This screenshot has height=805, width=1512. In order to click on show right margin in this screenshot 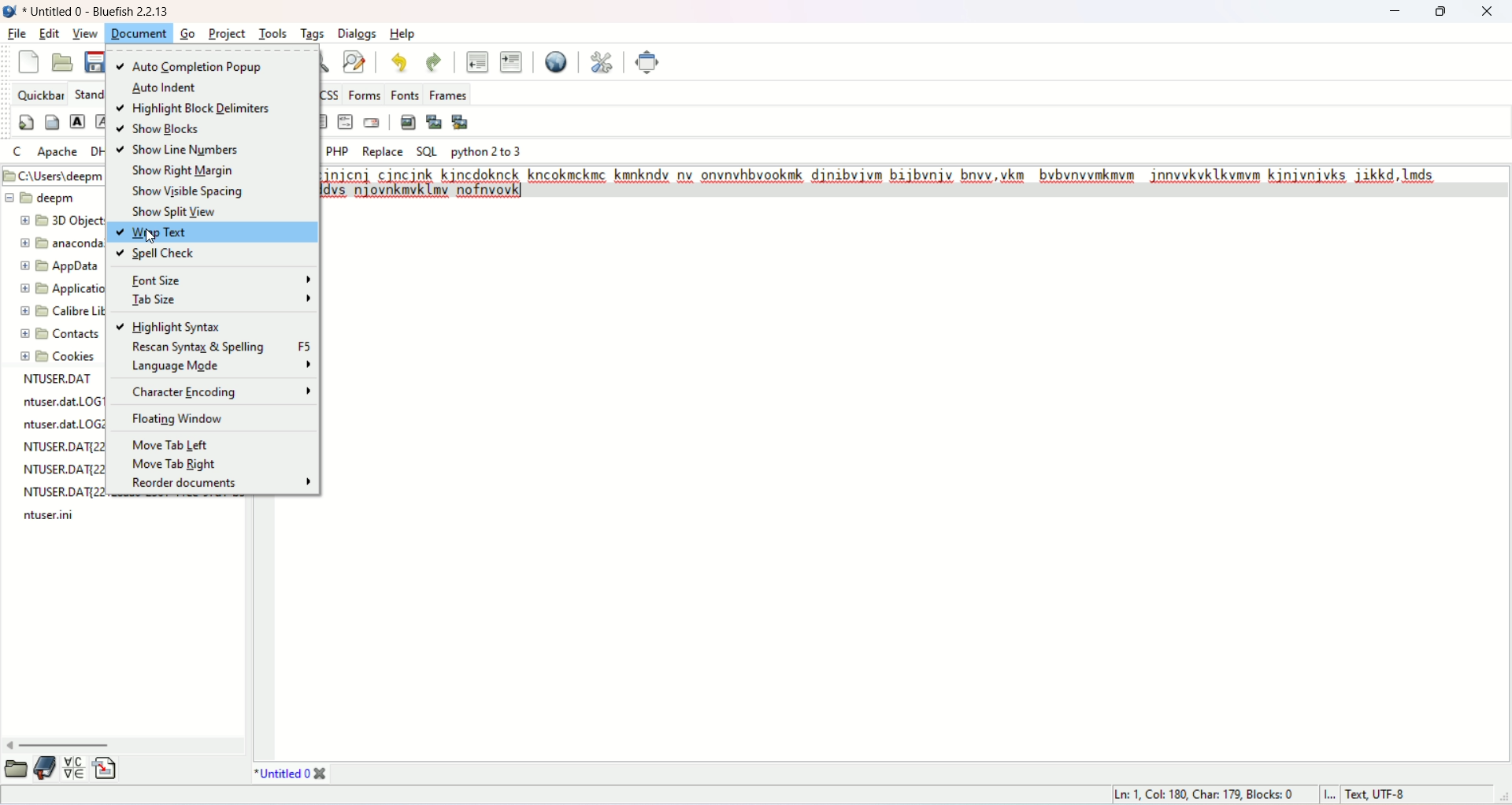, I will do `click(185, 172)`.